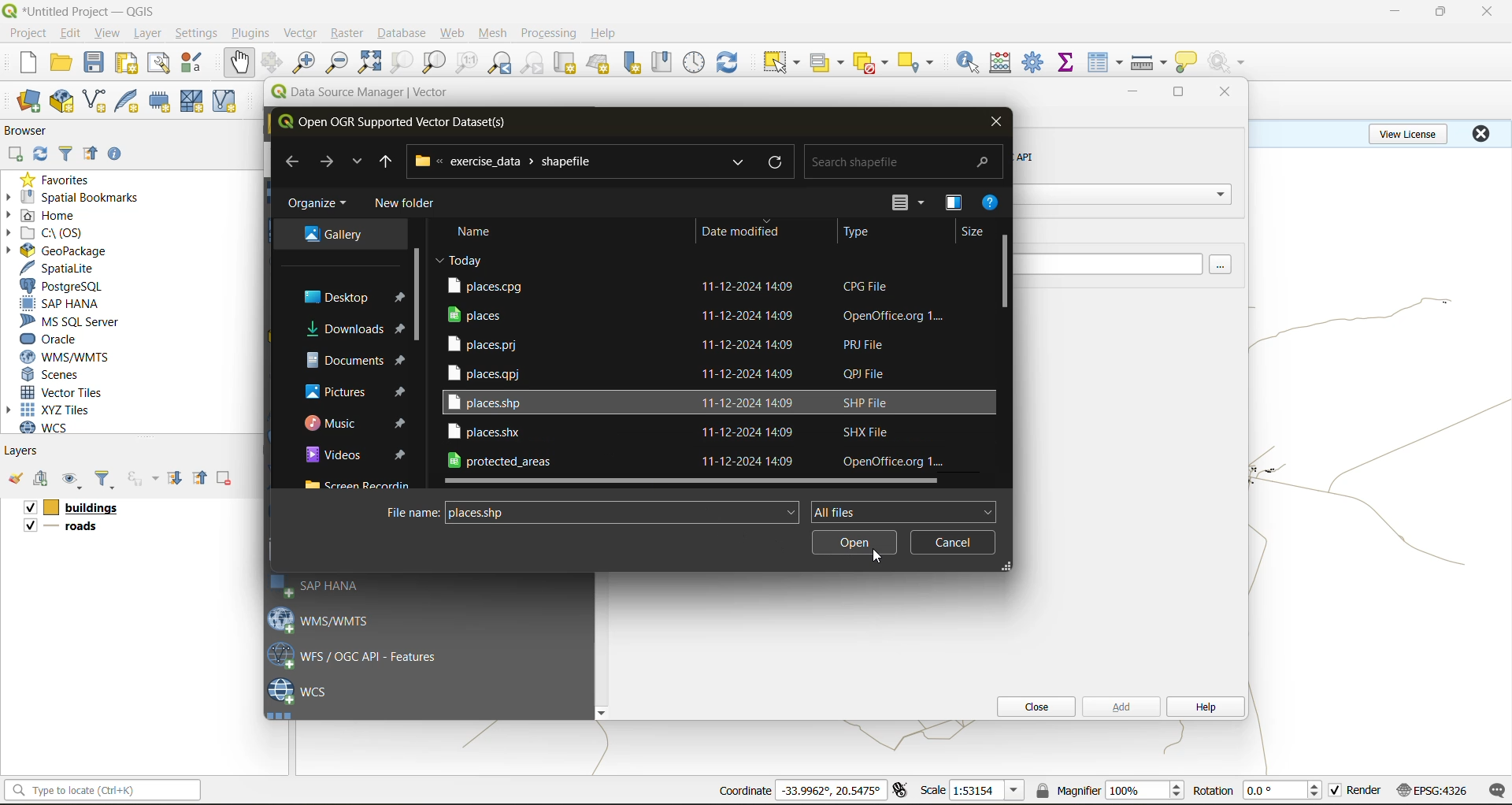 This screenshot has height=805, width=1512. I want to click on file/folder names, so click(713, 284).